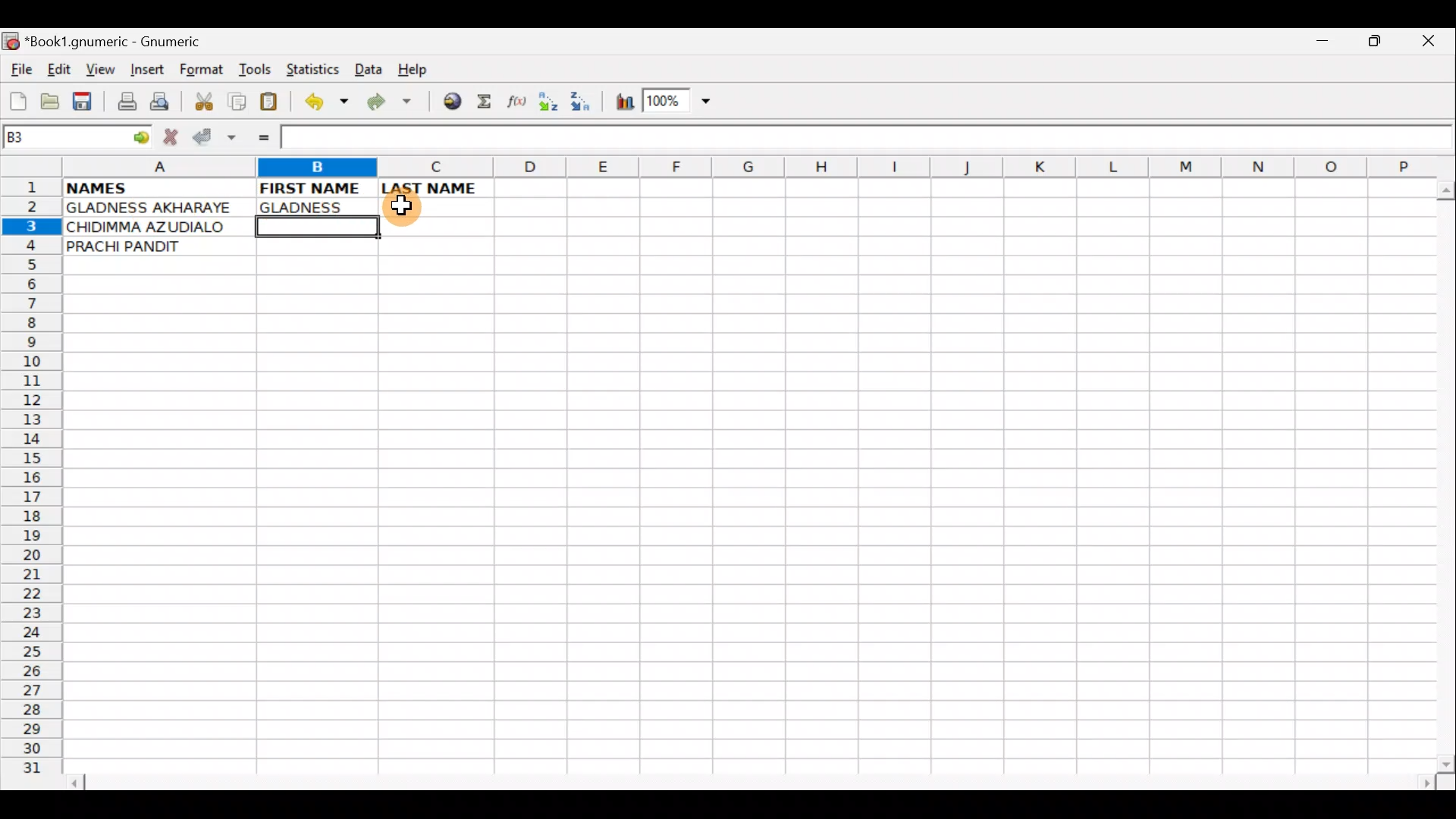 This screenshot has width=1456, height=819. What do you see at coordinates (11, 42) in the screenshot?
I see `Gnumeric logo` at bounding box center [11, 42].